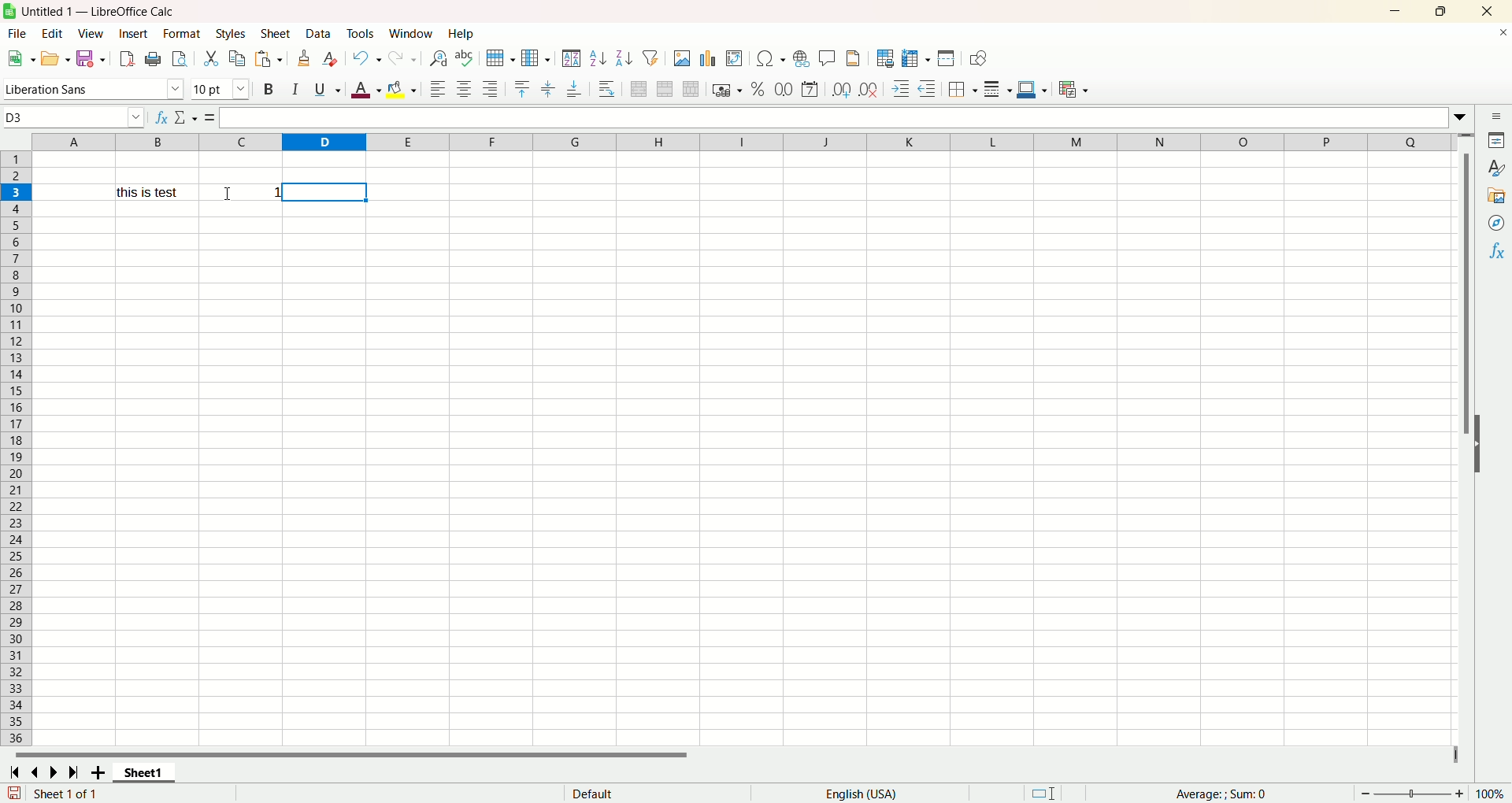 The width and height of the screenshot is (1512, 803). I want to click on styles, so click(230, 35).